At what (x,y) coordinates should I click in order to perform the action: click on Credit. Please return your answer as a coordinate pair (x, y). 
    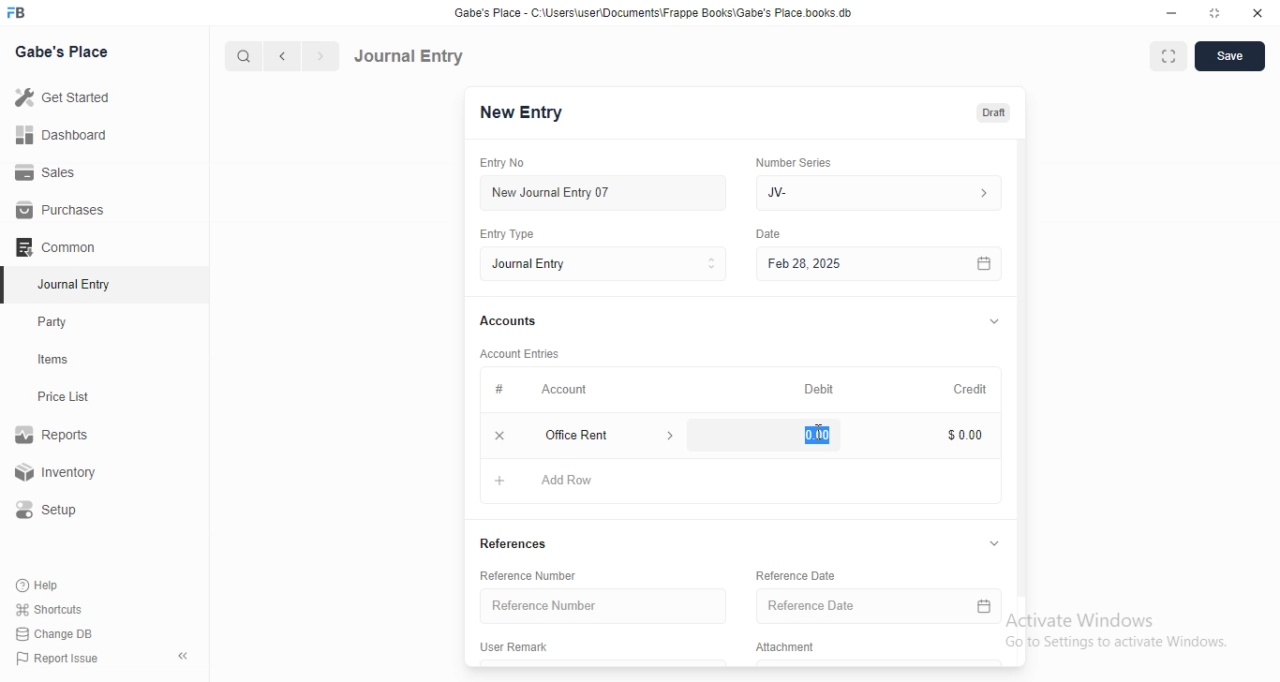
    Looking at the image, I should click on (969, 387).